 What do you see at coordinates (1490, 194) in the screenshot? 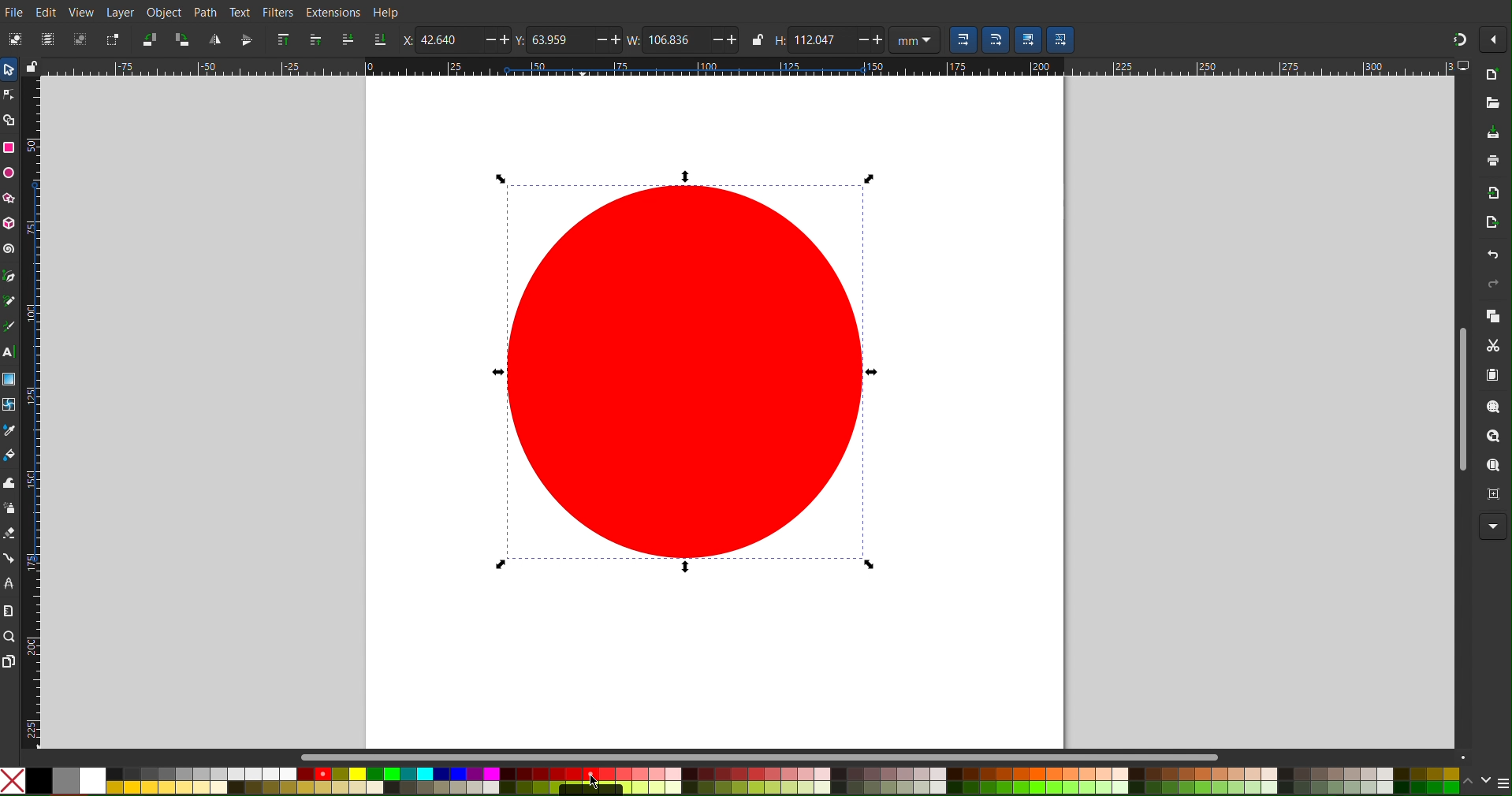
I see `Import Bitmap` at bounding box center [1490, 194].